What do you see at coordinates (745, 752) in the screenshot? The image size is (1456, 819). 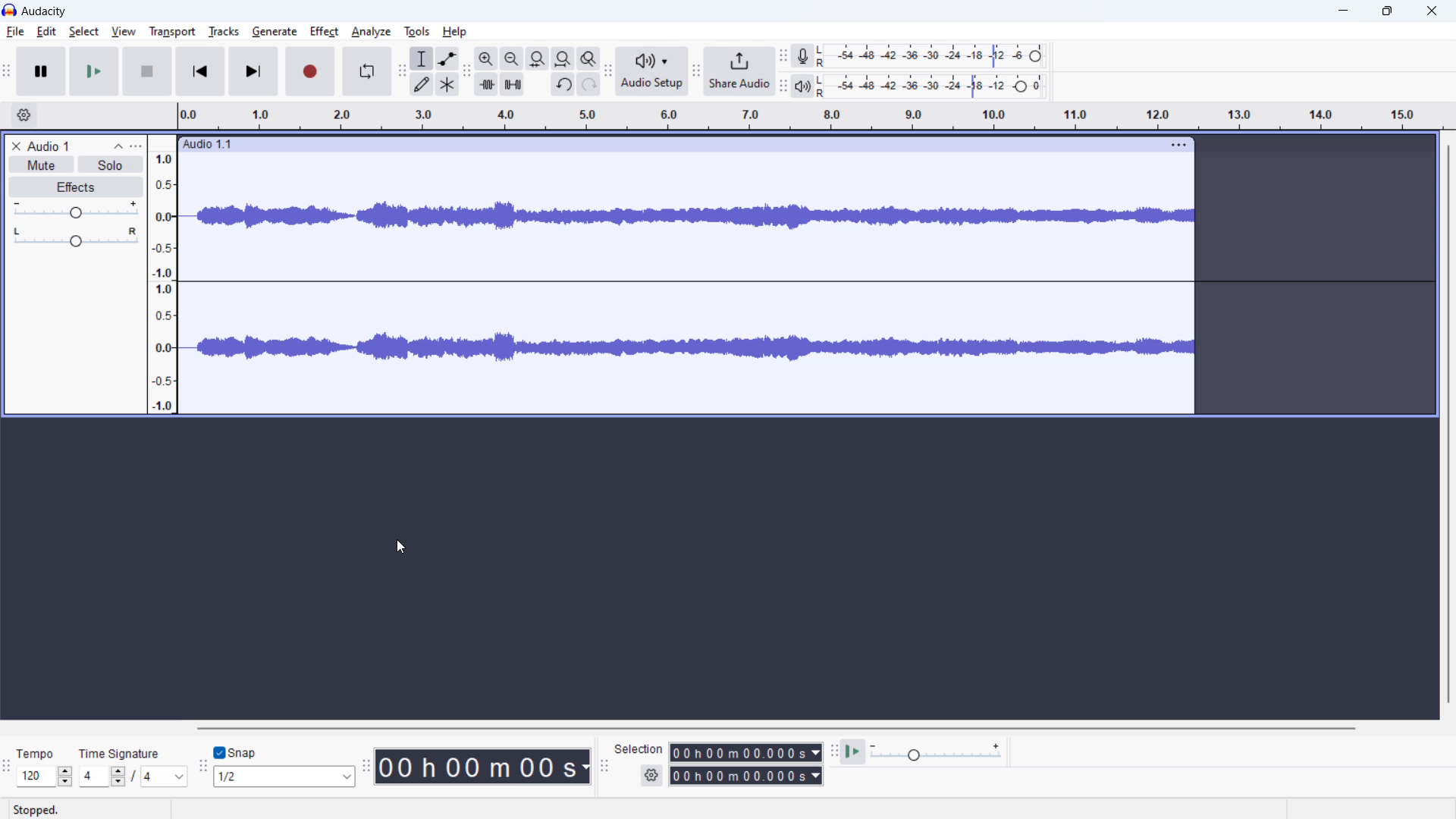 I see `start time` at bounding box center [745, 752].